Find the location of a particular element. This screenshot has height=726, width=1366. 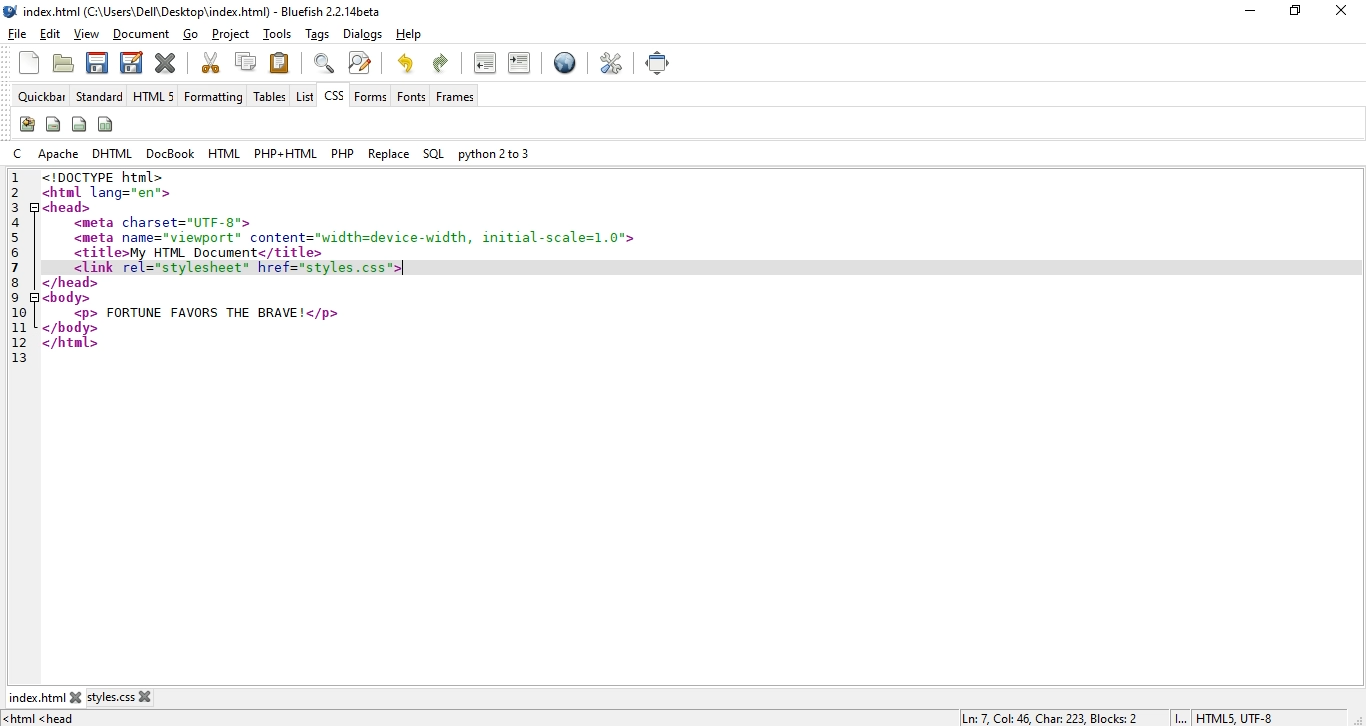

tags is located at coordinates (319, 35).